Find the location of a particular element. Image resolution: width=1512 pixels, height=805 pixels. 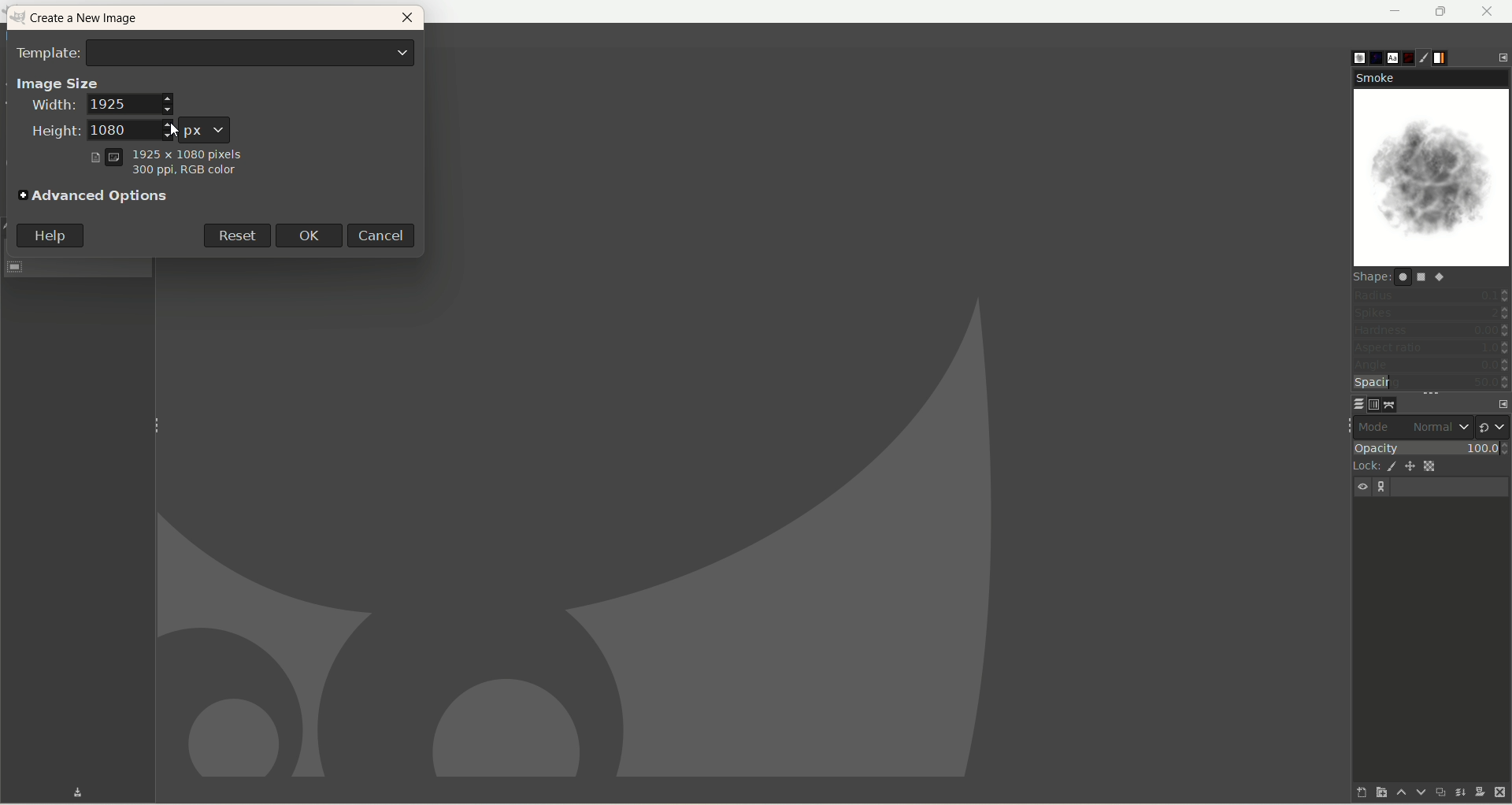

pixel is located at coordinates (205, 128).